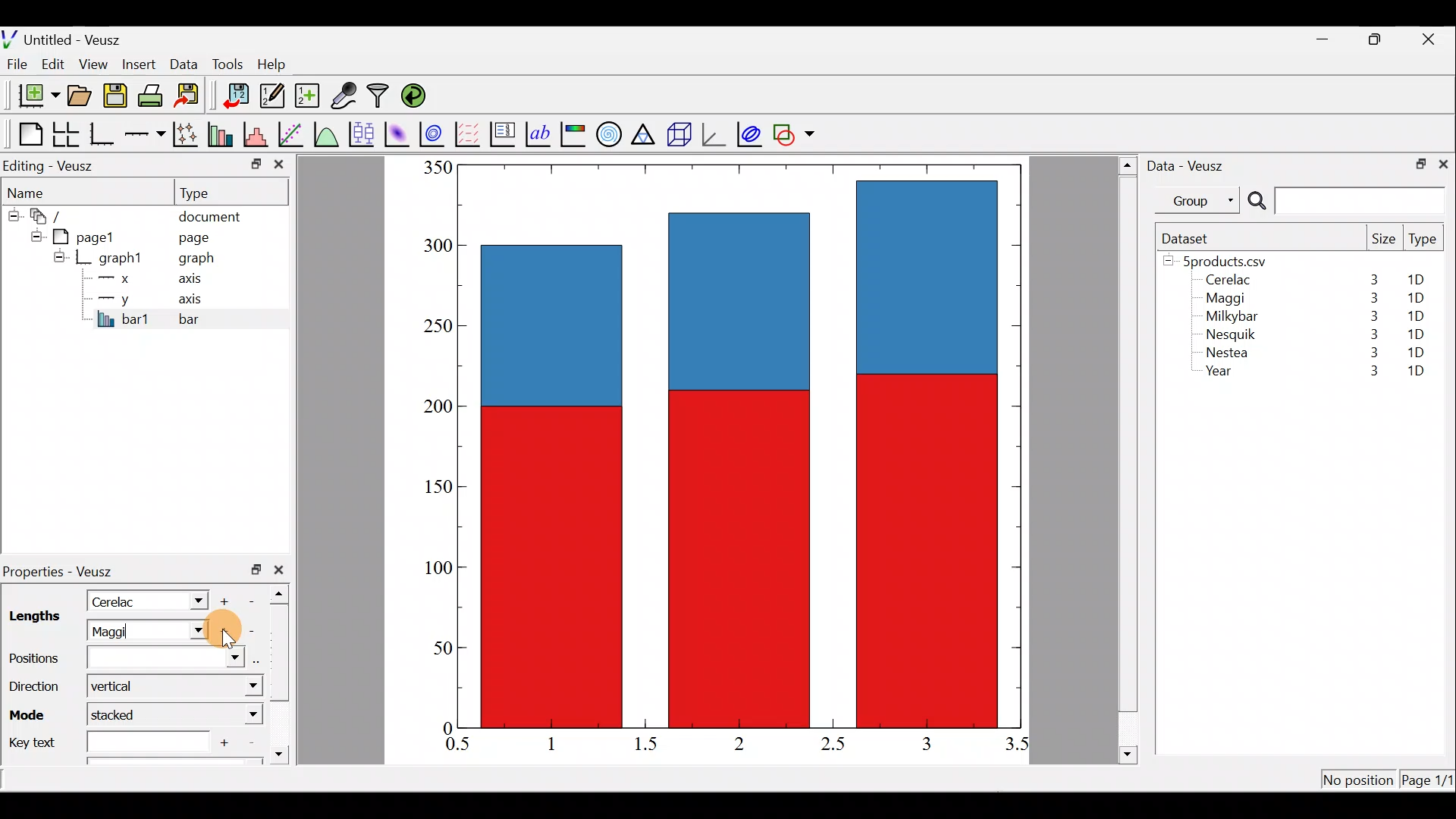  Describe the element at coordinates (458, 746) in the screenshot. I see `0.5` at that location.